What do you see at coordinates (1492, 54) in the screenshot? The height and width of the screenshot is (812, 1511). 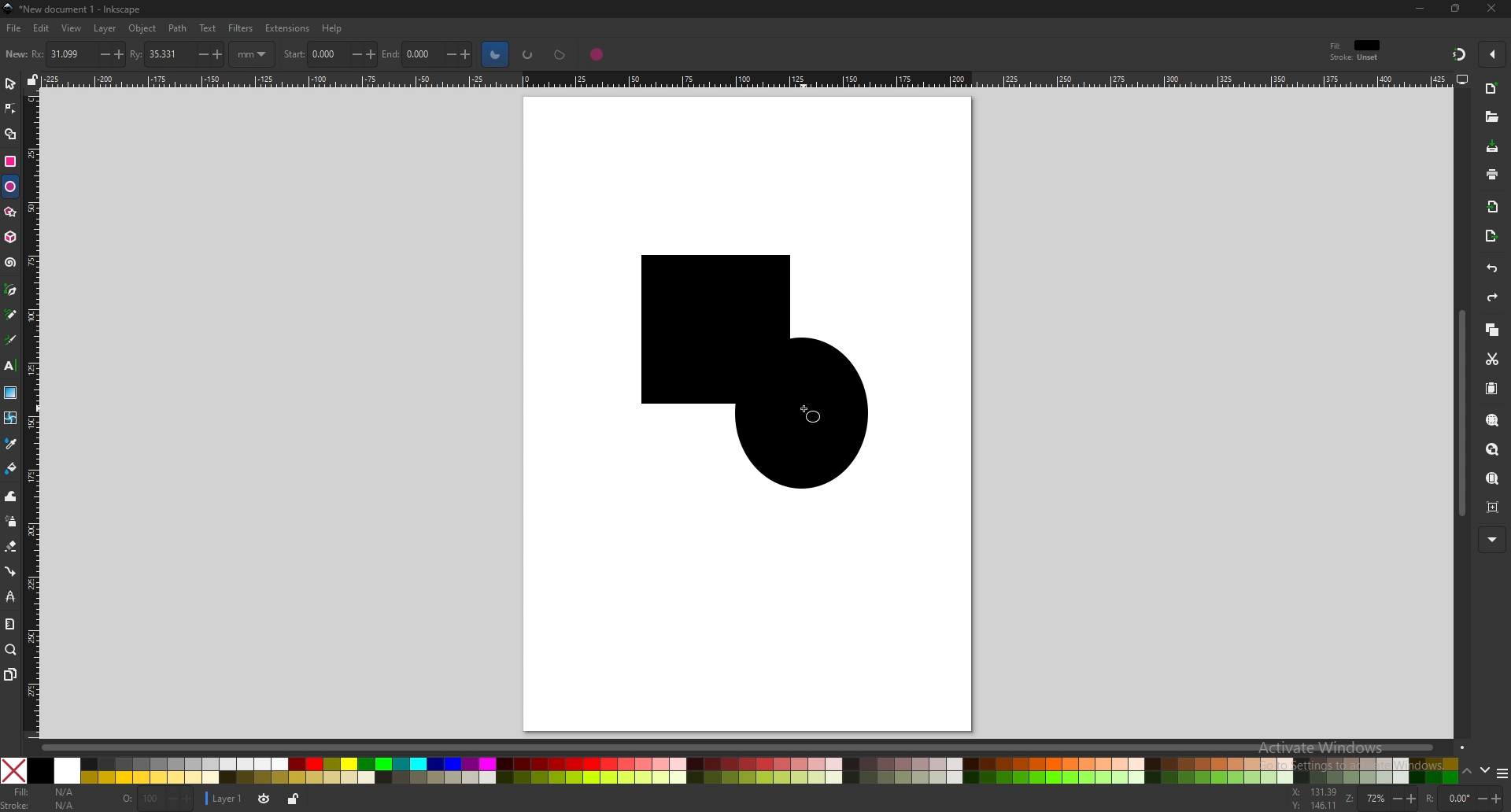 I see `enable snapping` at bounding box center [1492, 54].